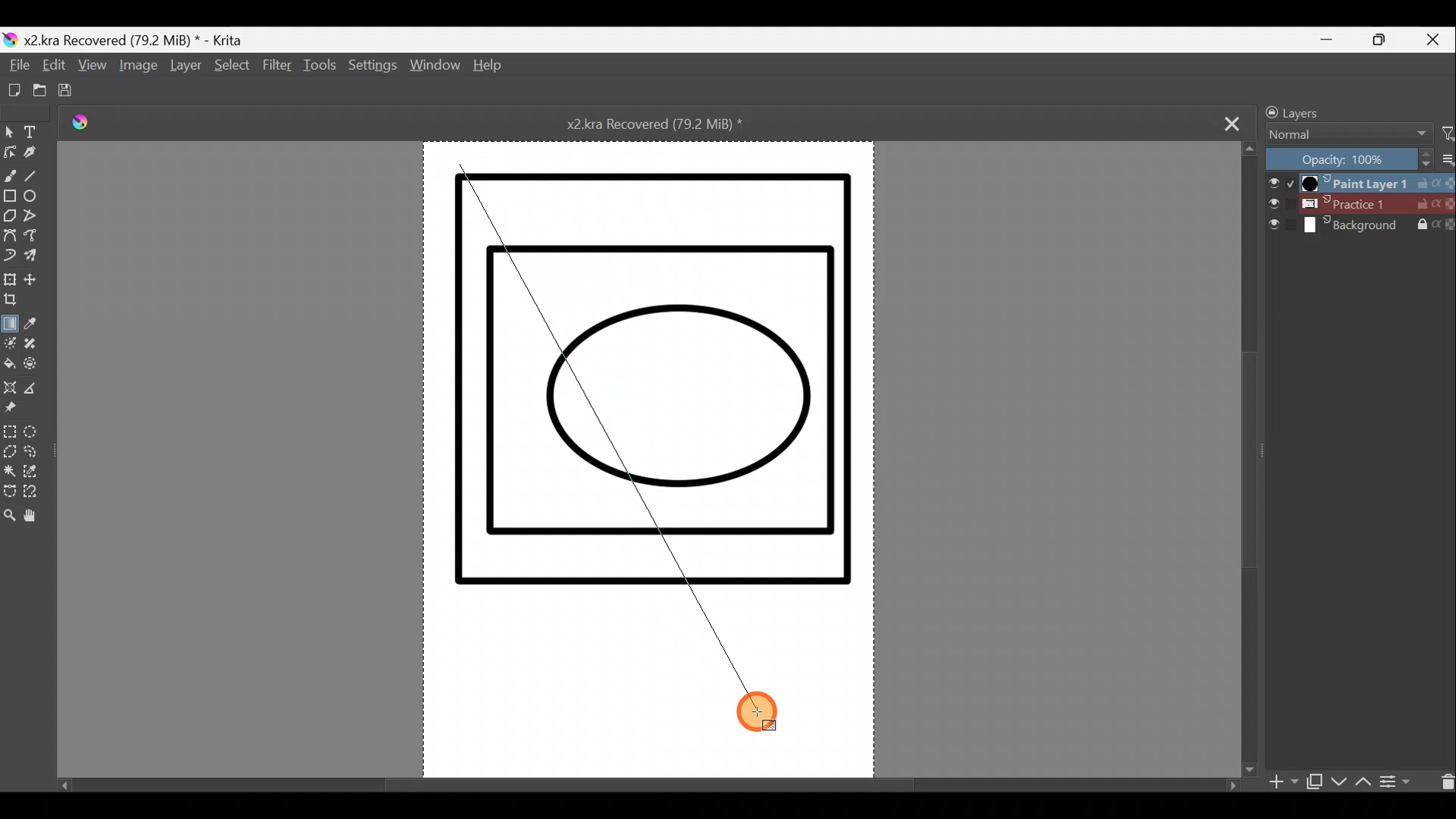 The image size is (1456, 819). I want to click on Layers, so click(1332, 110).